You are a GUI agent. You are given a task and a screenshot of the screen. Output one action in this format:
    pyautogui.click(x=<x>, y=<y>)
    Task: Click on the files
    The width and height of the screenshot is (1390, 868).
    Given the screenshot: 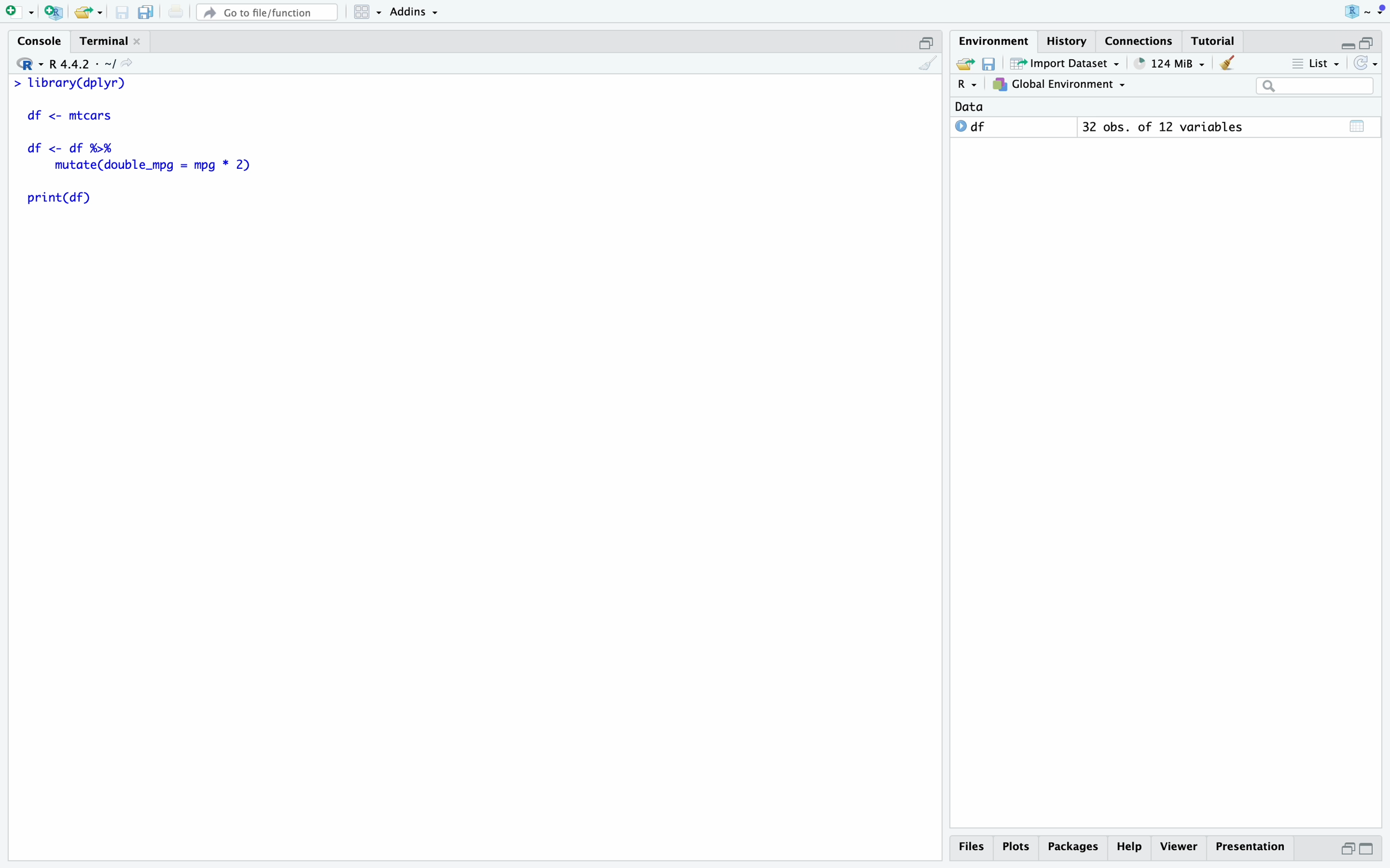 What is the action you would take?
    pyautogui.click(x=975, y=847)
    